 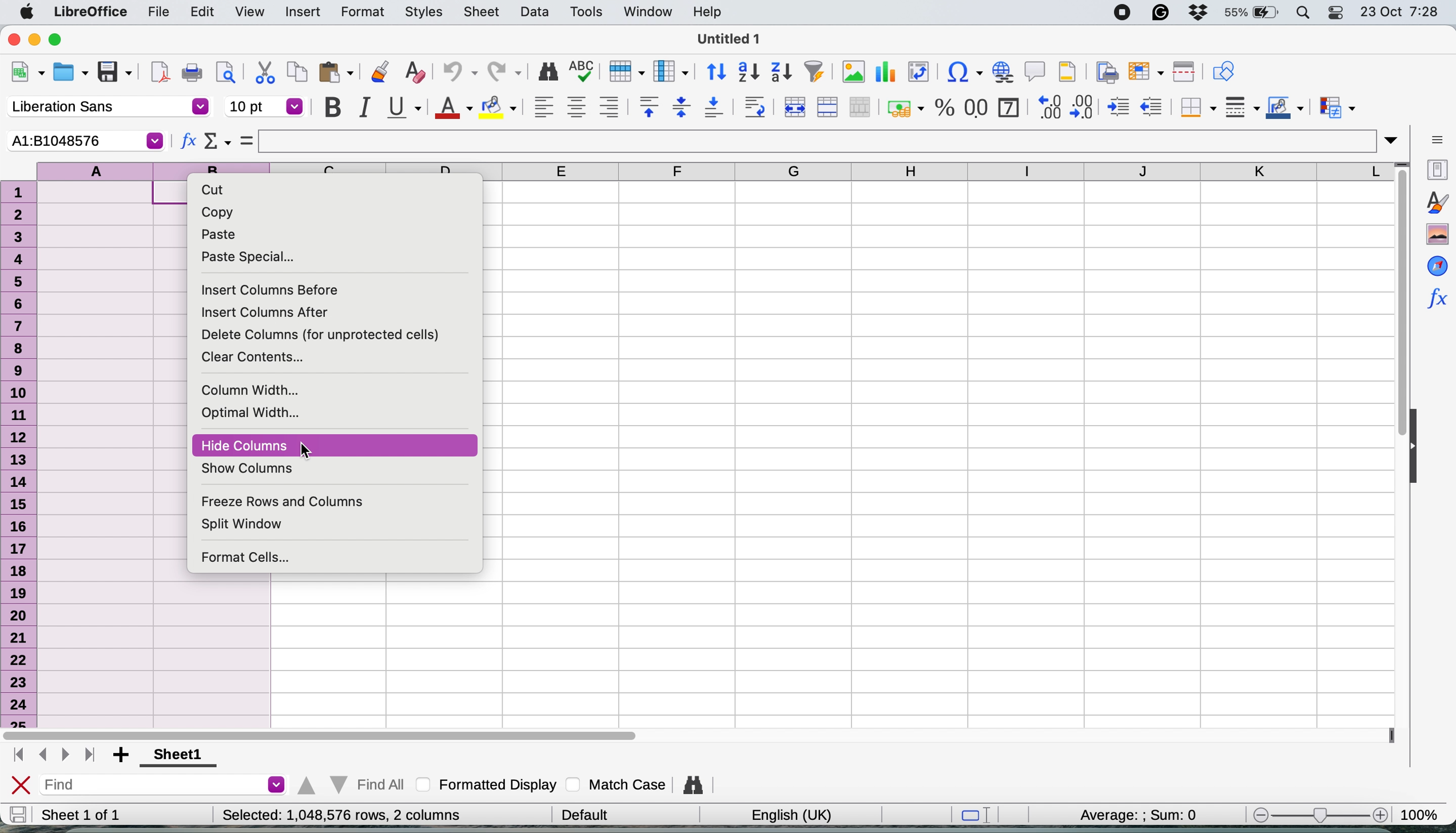 I want to click on file, so click(x=157, y=11).